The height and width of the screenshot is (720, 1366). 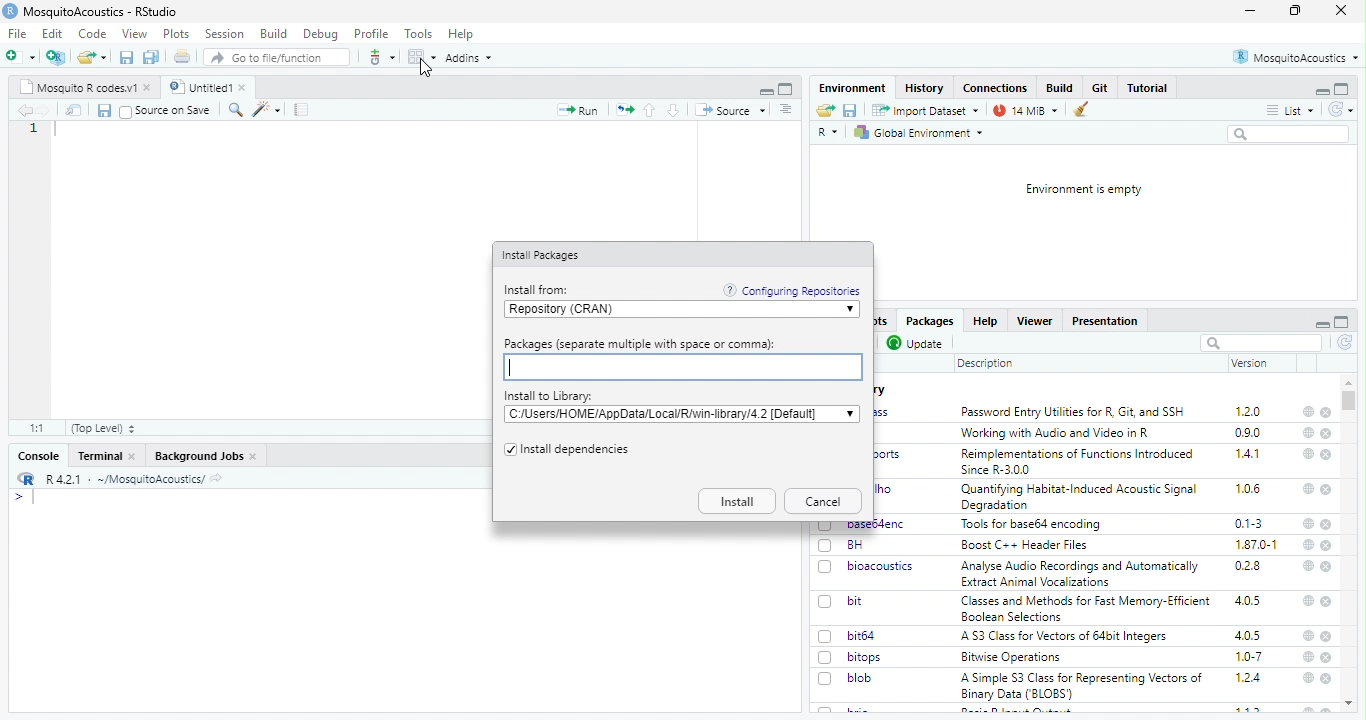 I want to click on Analyse Audio Recordings and Automatically
Extract Animal Vocalizations, so click(x=1082, y=573).